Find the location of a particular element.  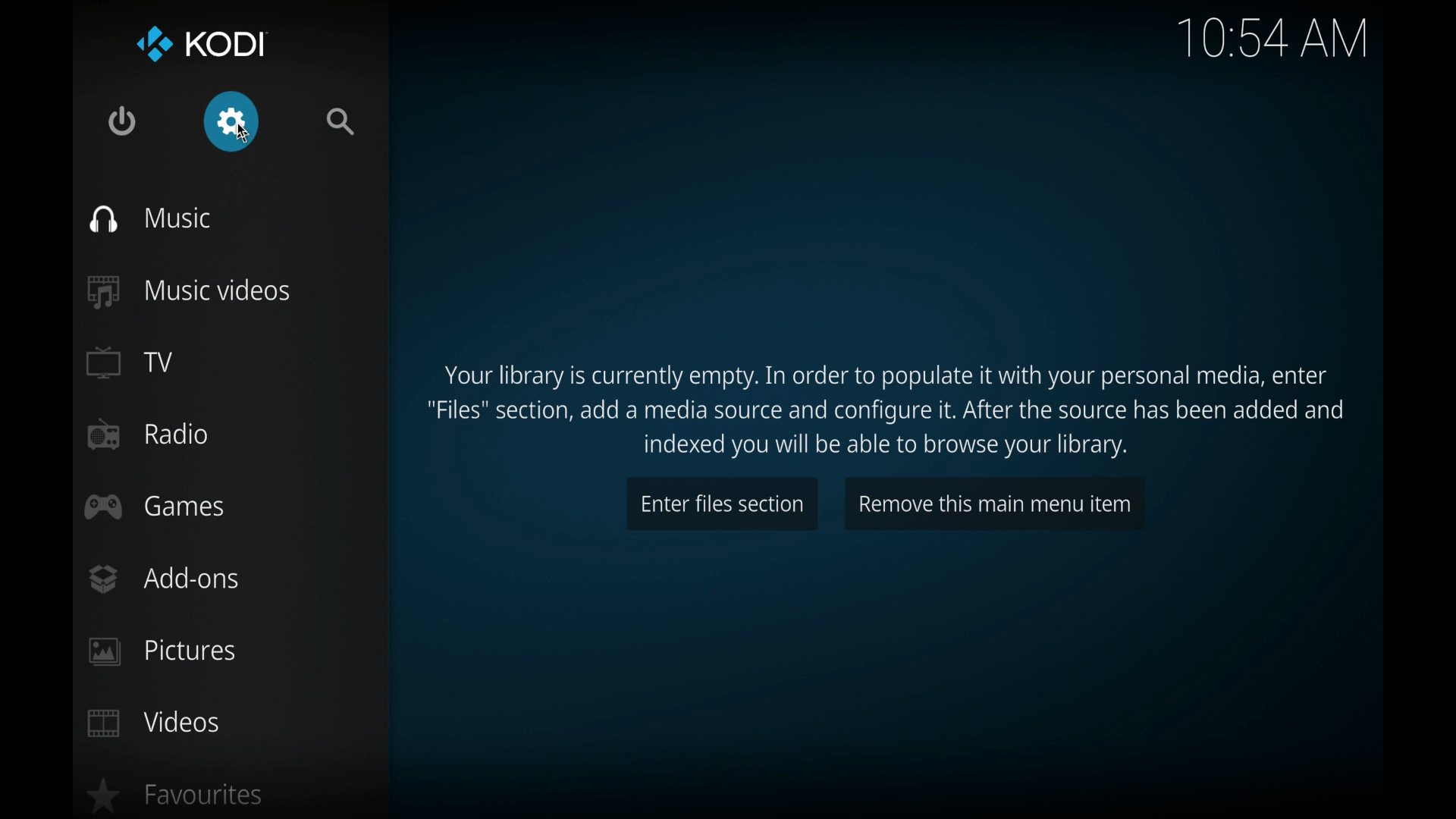

enter files  section is located at coordinates (720, 503).